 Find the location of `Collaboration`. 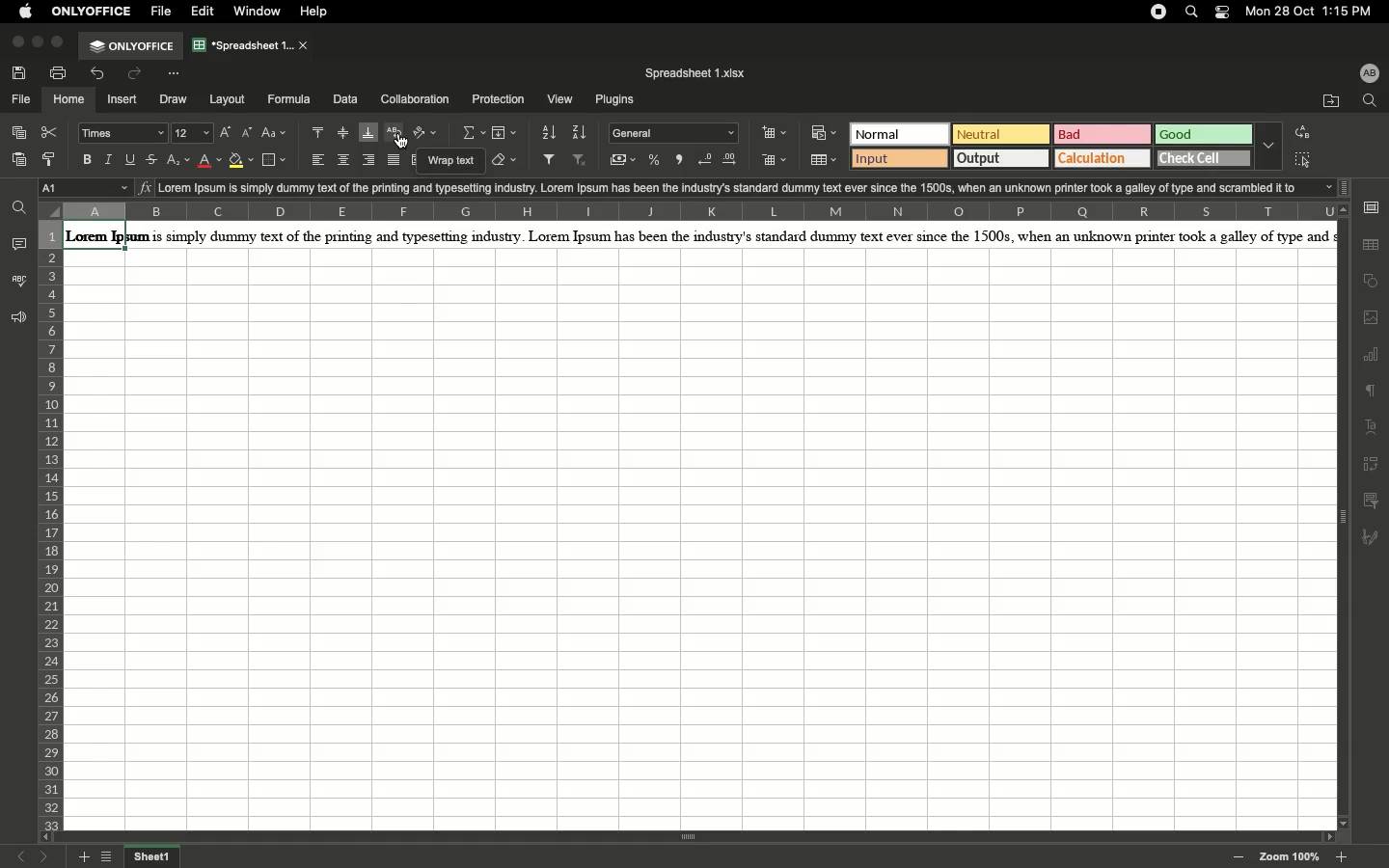

Collaboration is located at coordinates (416, 99).